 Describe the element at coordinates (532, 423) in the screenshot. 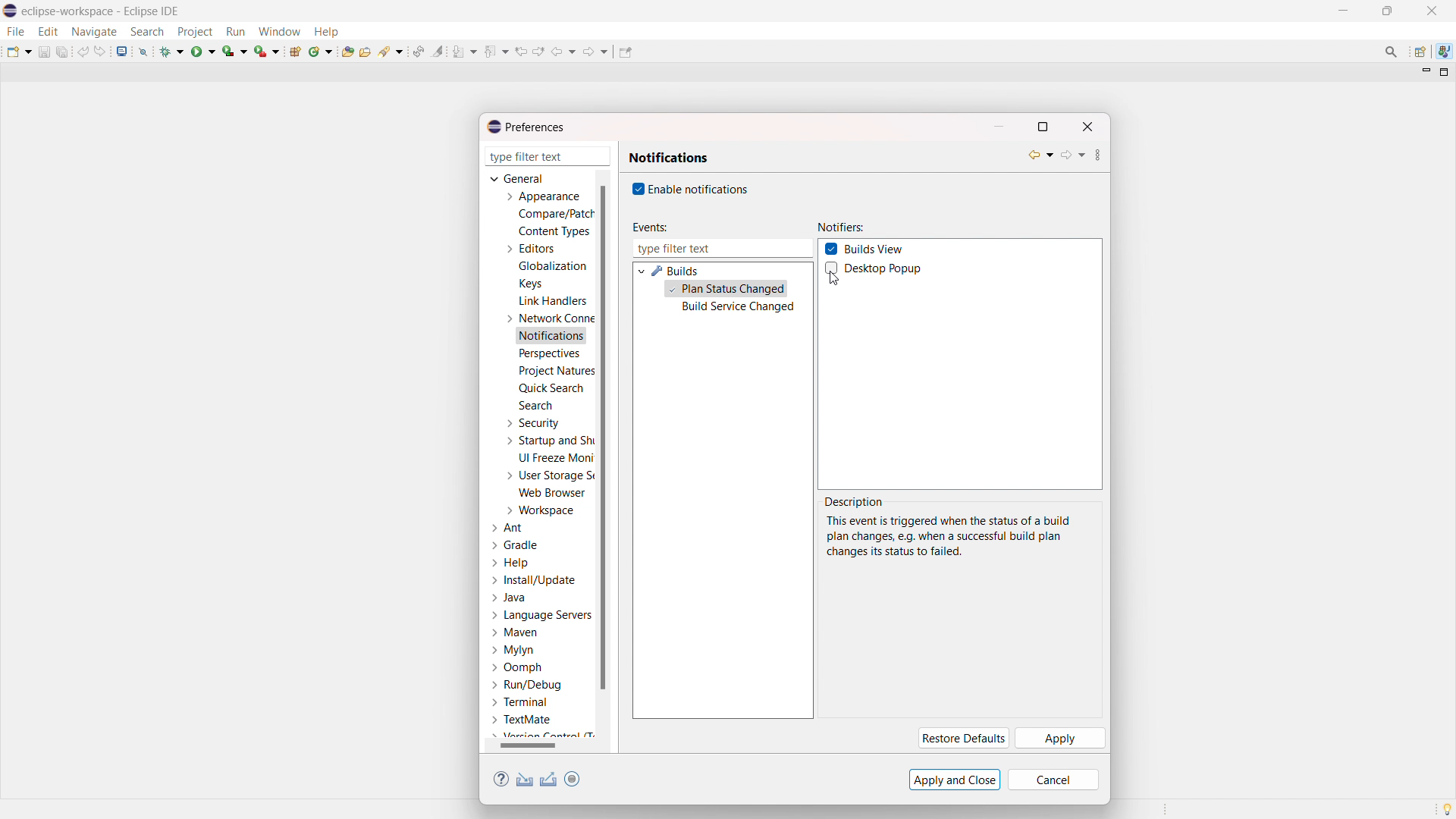

I see `security` at that location.